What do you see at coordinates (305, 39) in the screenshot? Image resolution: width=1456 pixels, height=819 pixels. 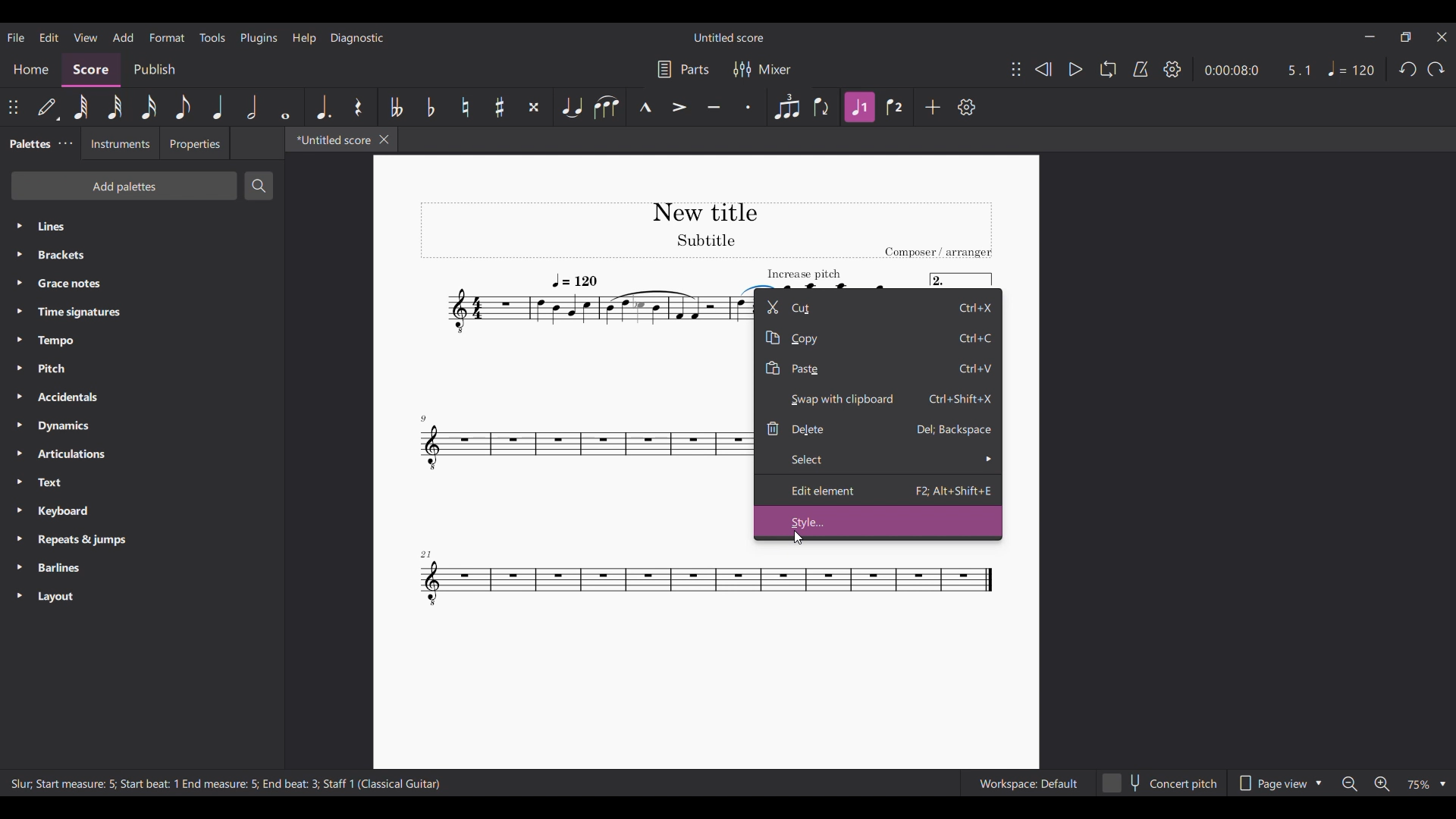 I see `Help menu` at bounding box center [305, 39].